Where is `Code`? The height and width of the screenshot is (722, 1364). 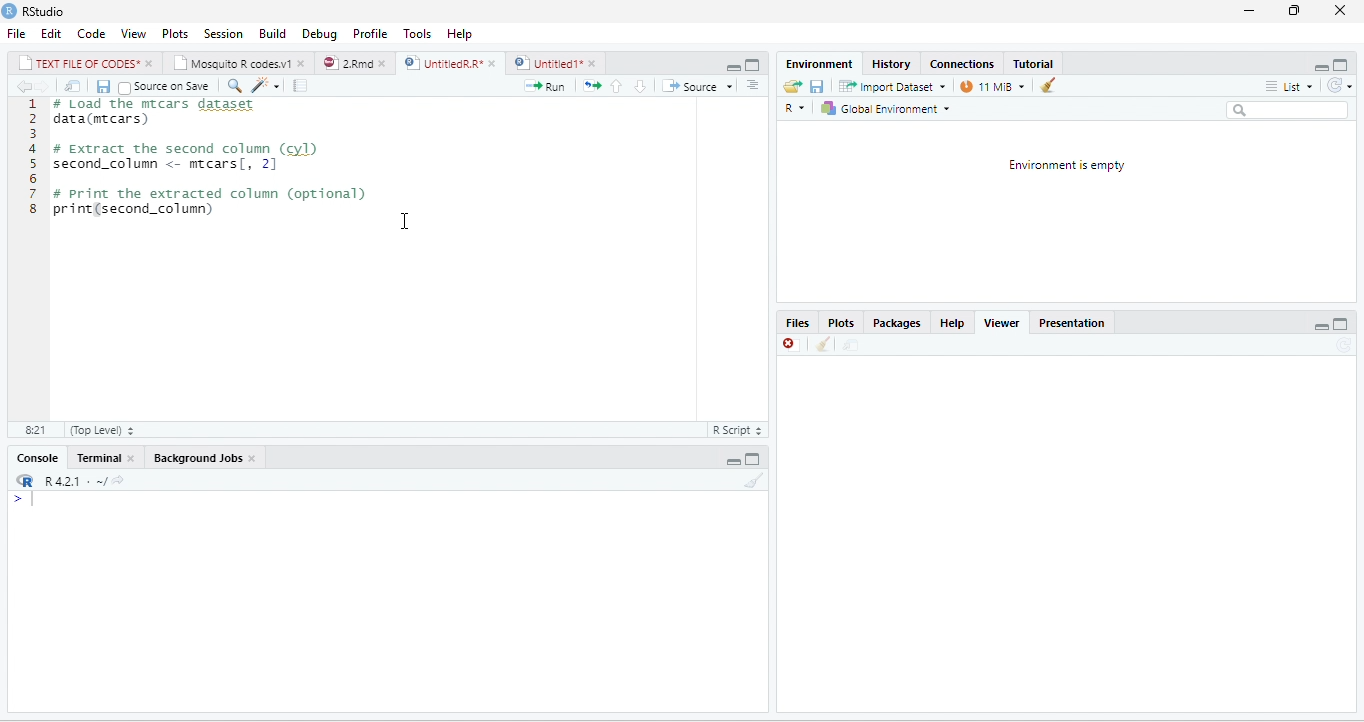 Code is located at coordinates (90, 32).